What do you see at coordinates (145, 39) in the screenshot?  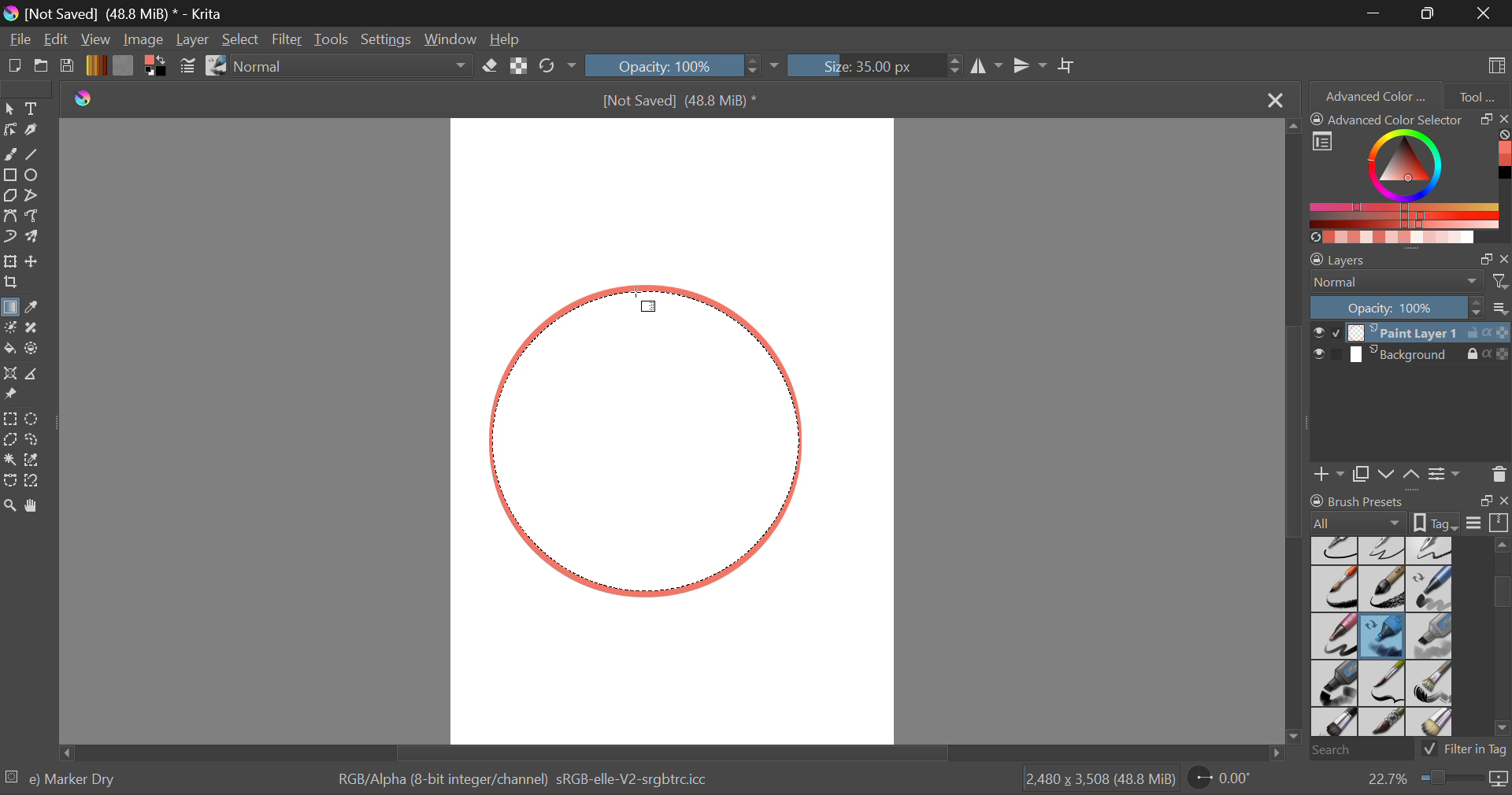 I see `Image` at bounding box center [145, 39].